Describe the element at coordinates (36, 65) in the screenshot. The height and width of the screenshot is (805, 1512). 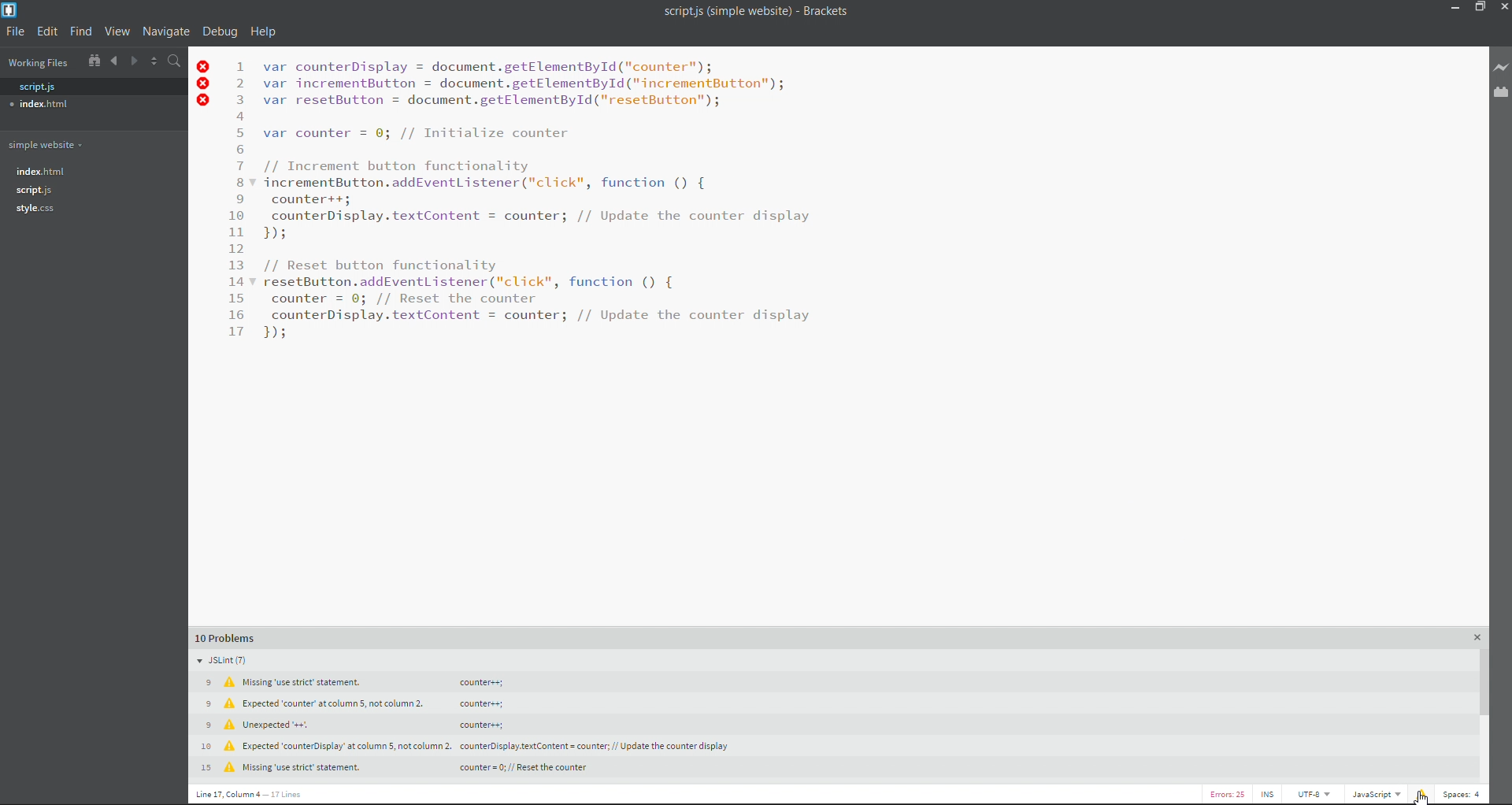
I see `working files` at that location.